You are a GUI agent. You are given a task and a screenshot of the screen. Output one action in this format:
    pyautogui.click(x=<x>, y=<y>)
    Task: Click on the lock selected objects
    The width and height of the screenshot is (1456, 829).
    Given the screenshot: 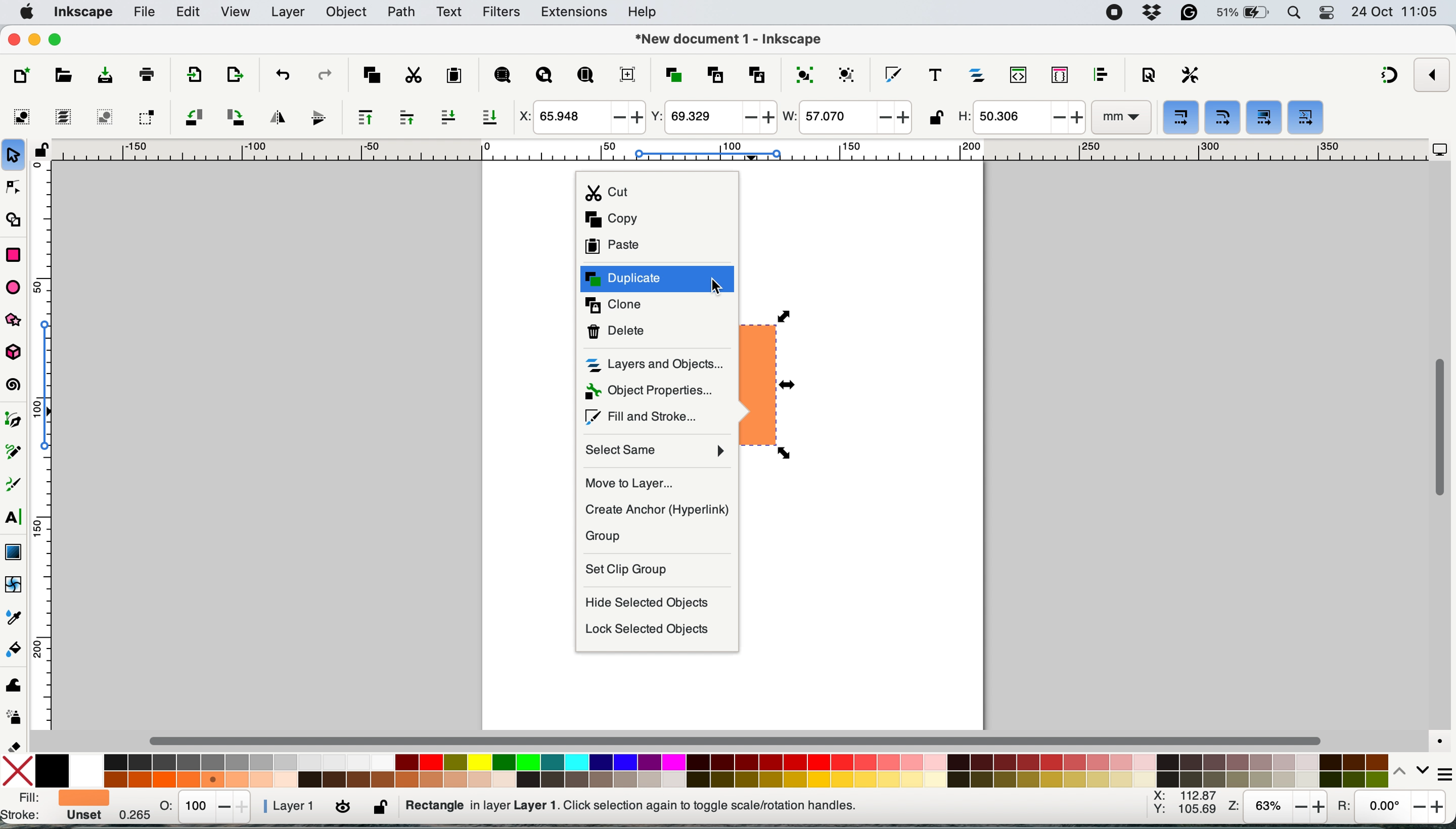 What is the action you would take?
    pyautogui.click(x=651, y=631)
    